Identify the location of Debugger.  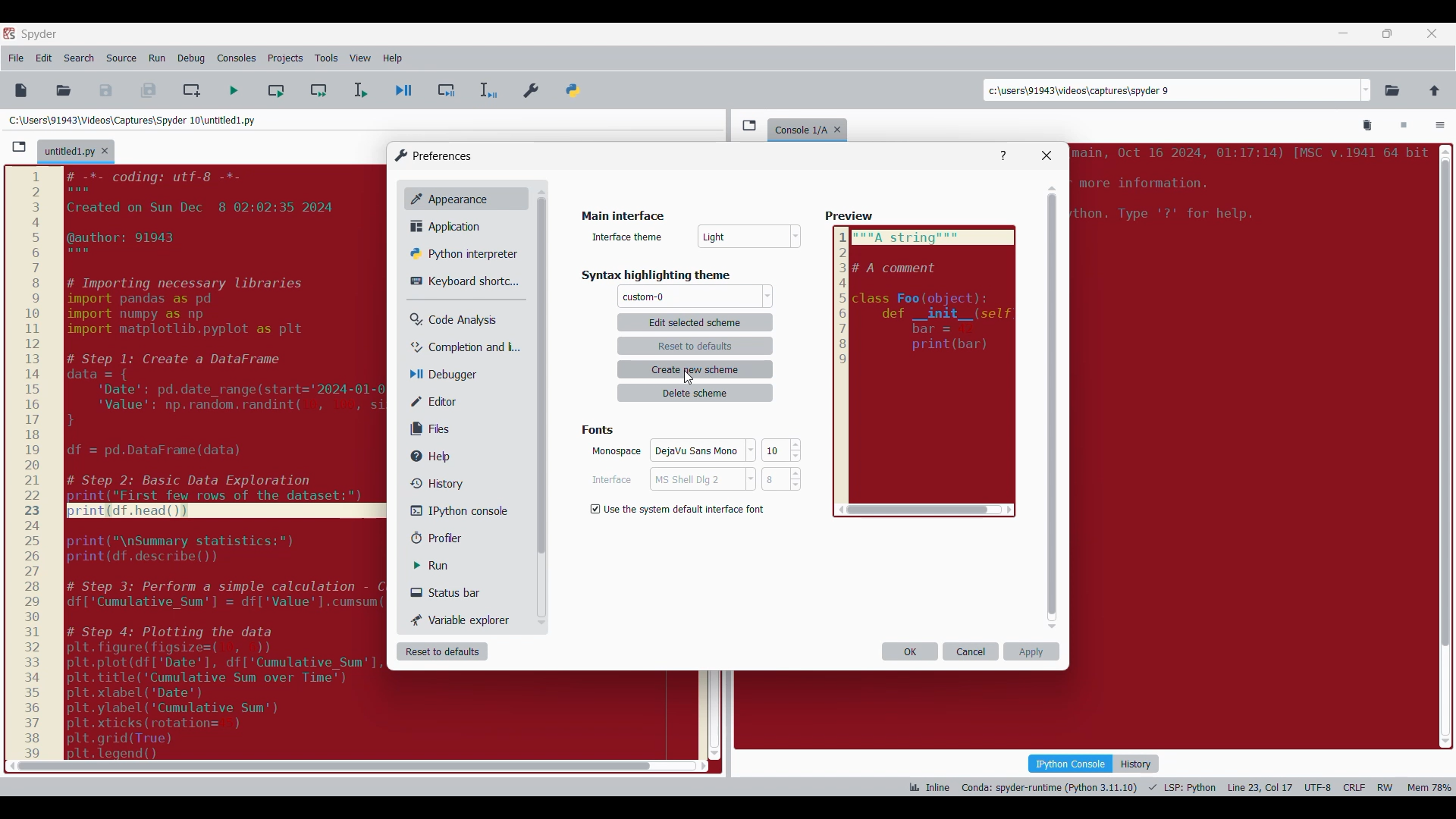
(466, 375).